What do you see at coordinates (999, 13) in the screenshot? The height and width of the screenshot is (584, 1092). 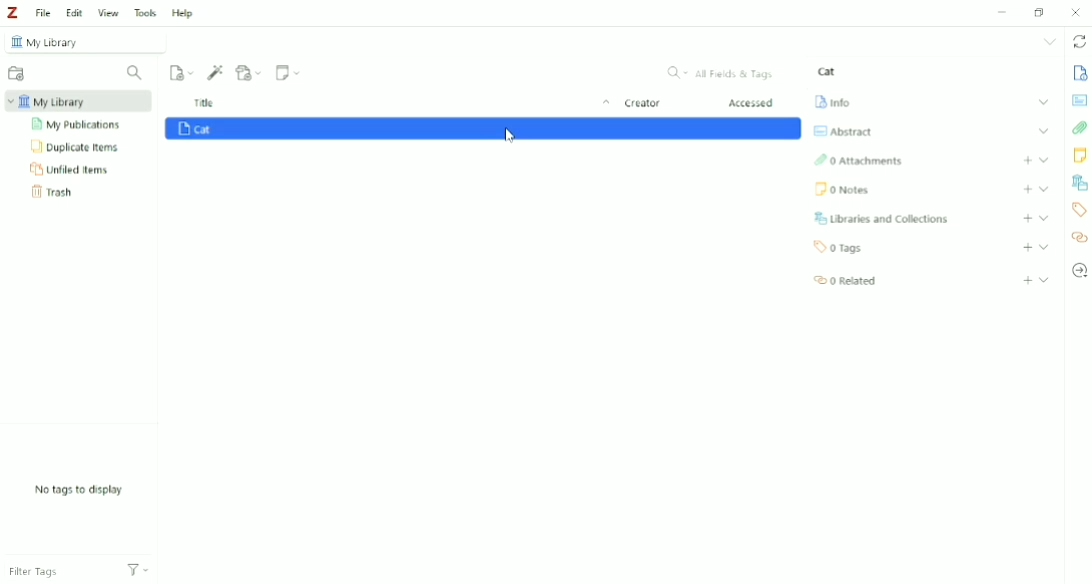 I see `Minimize` at bounding box center [999, 13].